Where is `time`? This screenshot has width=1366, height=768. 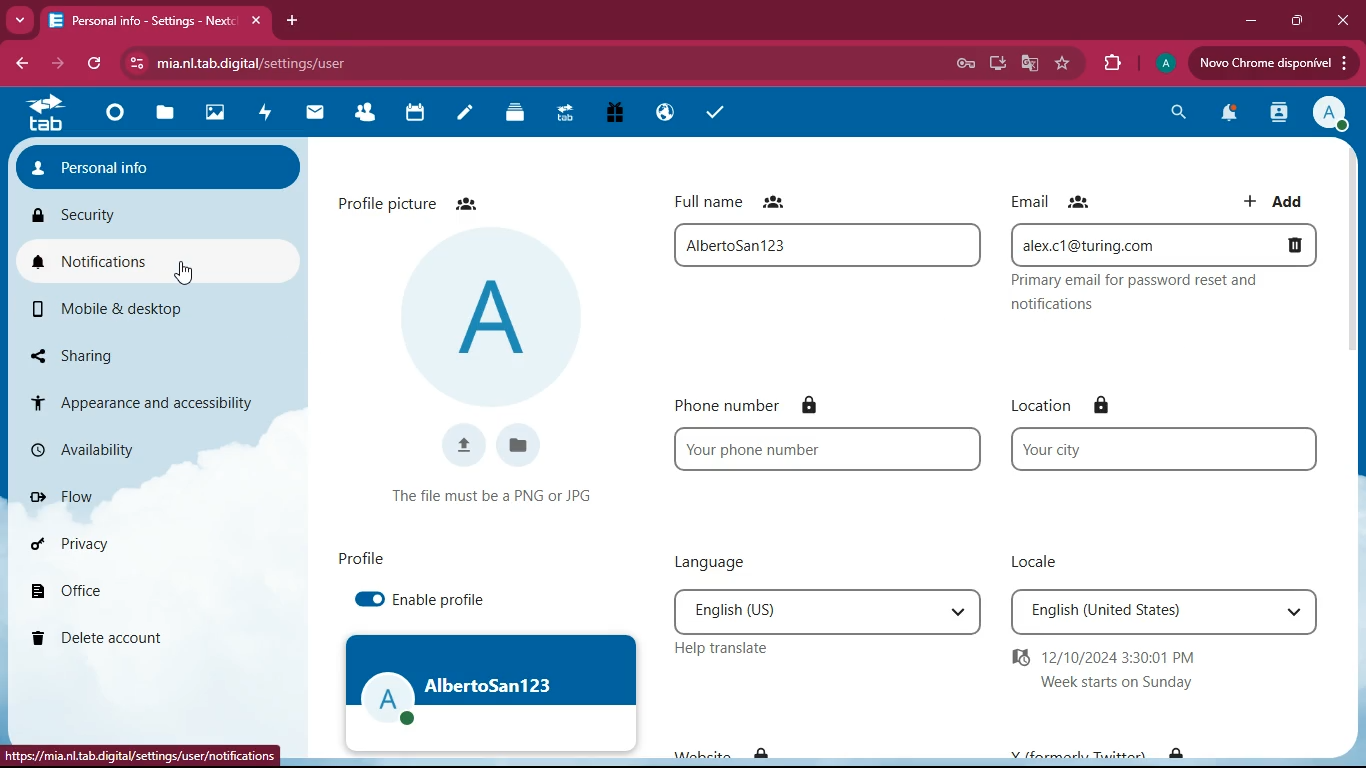
time is located at coordinates (1129, 673).